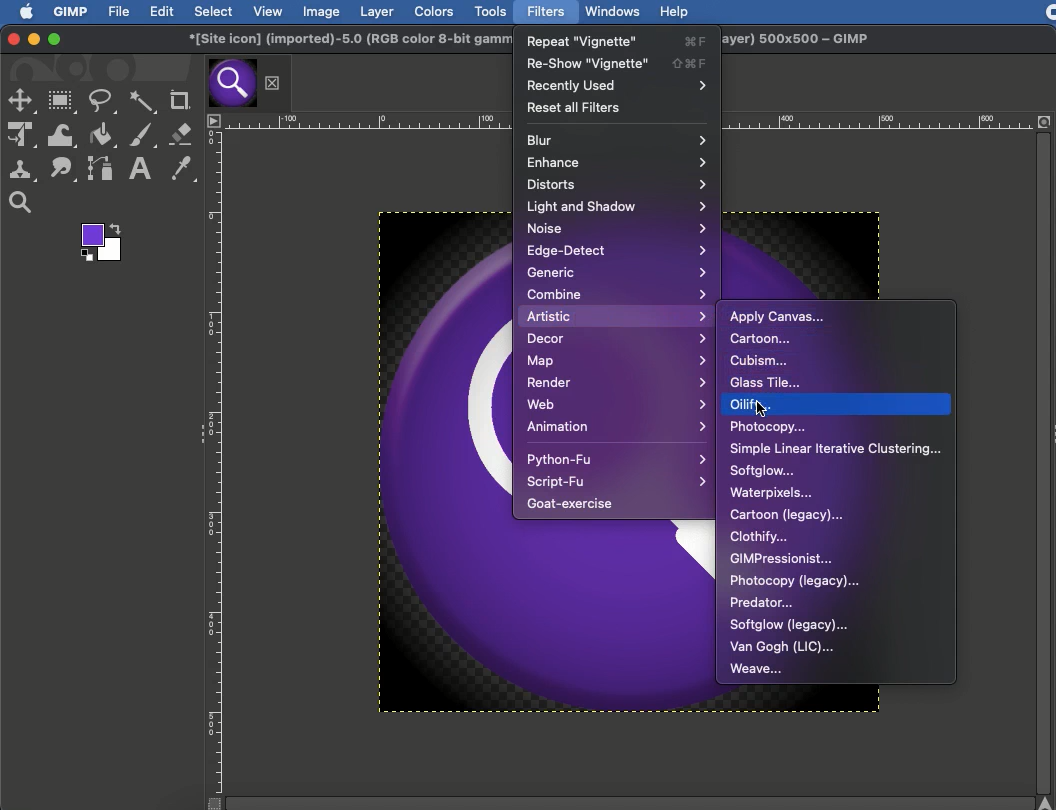 The width and height of the screenshot is (1056, 810). Describe the element at coordinates (231, 83) in the screenshot. I see `Tab` at that location.